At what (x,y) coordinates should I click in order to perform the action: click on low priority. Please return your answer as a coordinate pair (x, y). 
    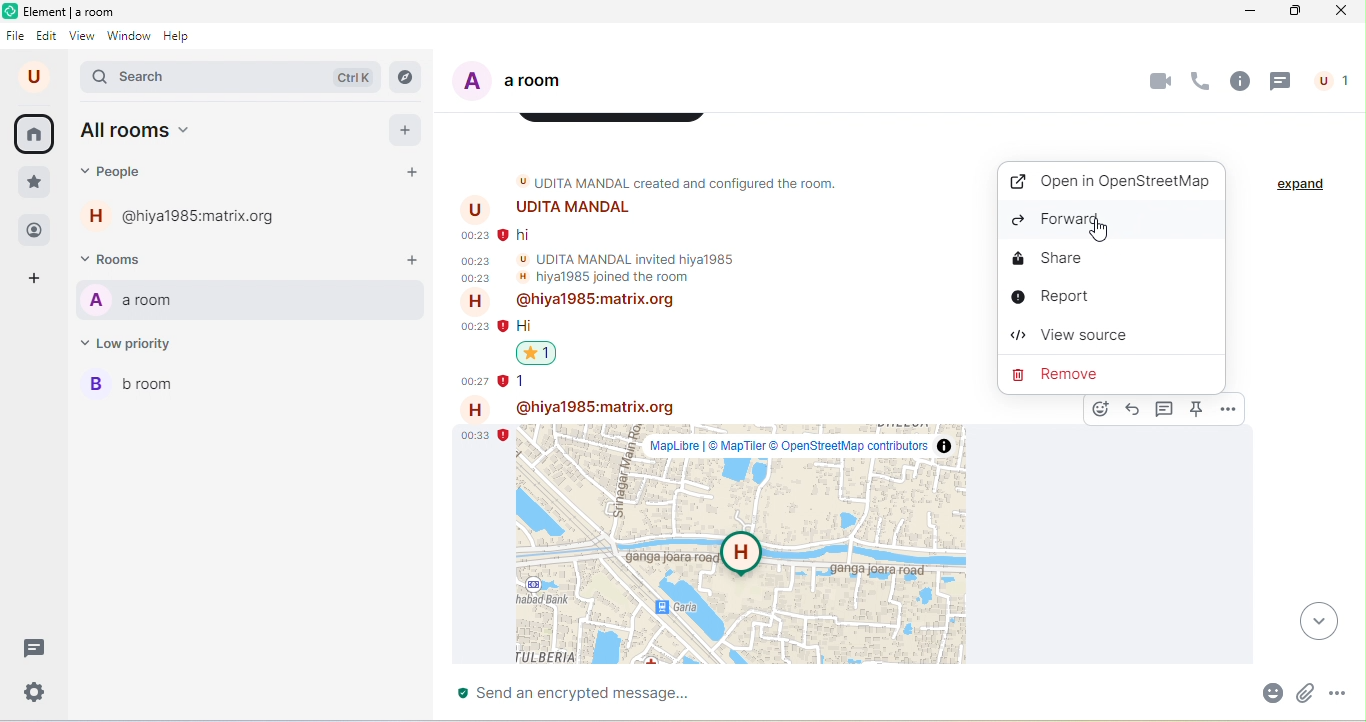
    Looking at the image, I should click on (137, 343).